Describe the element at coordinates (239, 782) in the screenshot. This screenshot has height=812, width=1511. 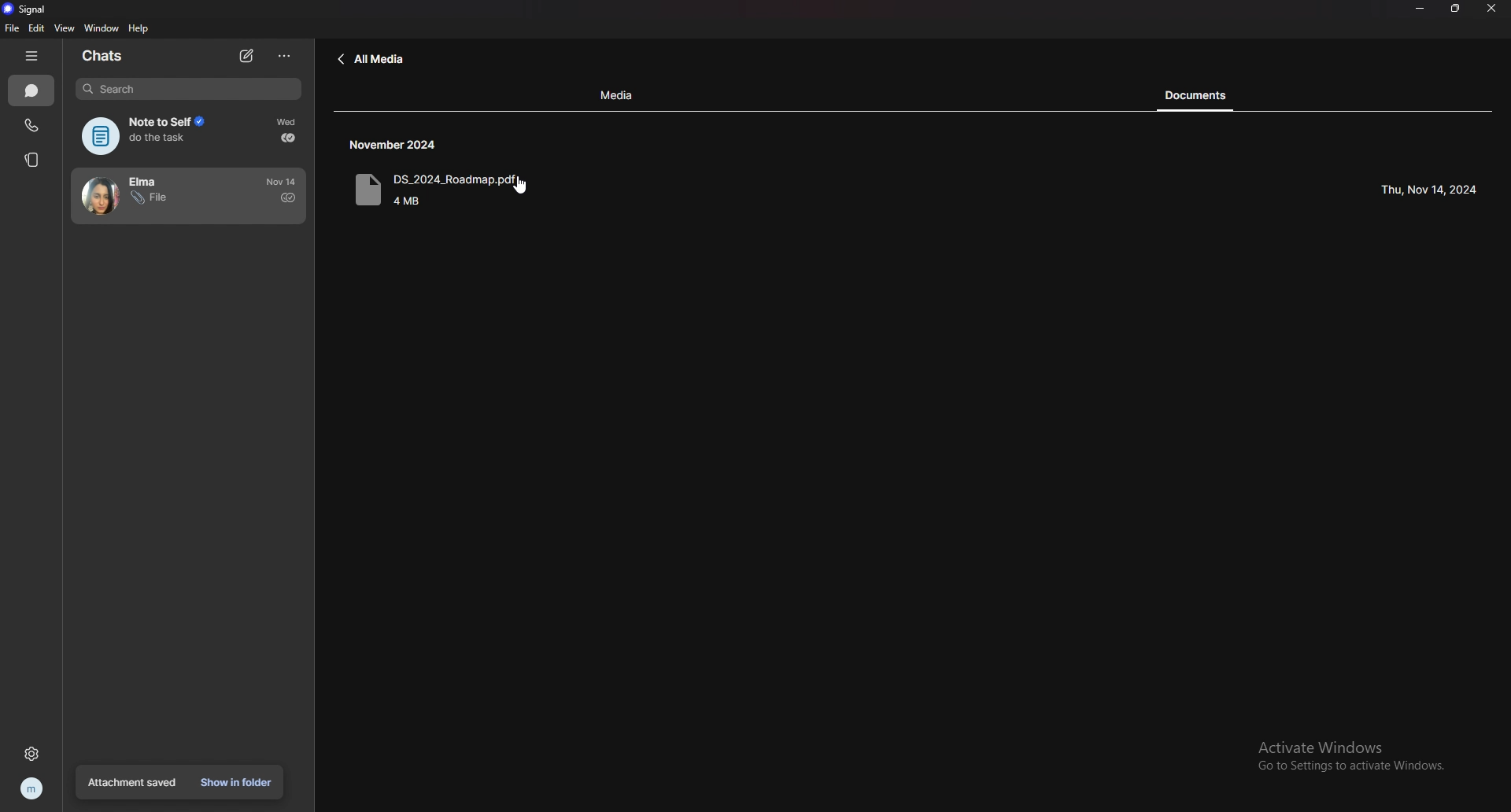
I see `show in folder` at that location.